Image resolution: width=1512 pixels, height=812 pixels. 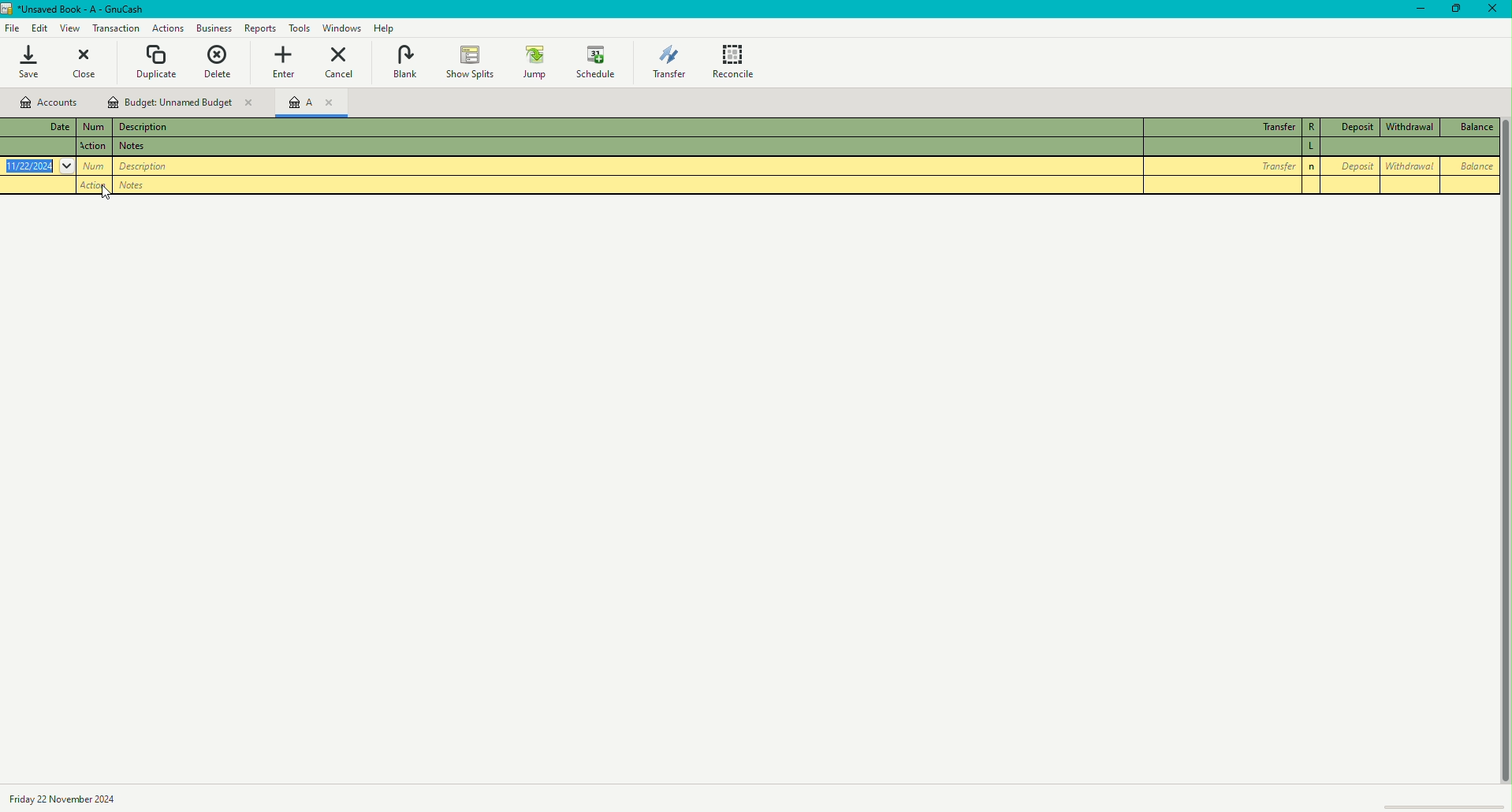 What do you see at coordinates (35, 27) in the screenshot?
I see `Edit` at bounding box center [35, 27].